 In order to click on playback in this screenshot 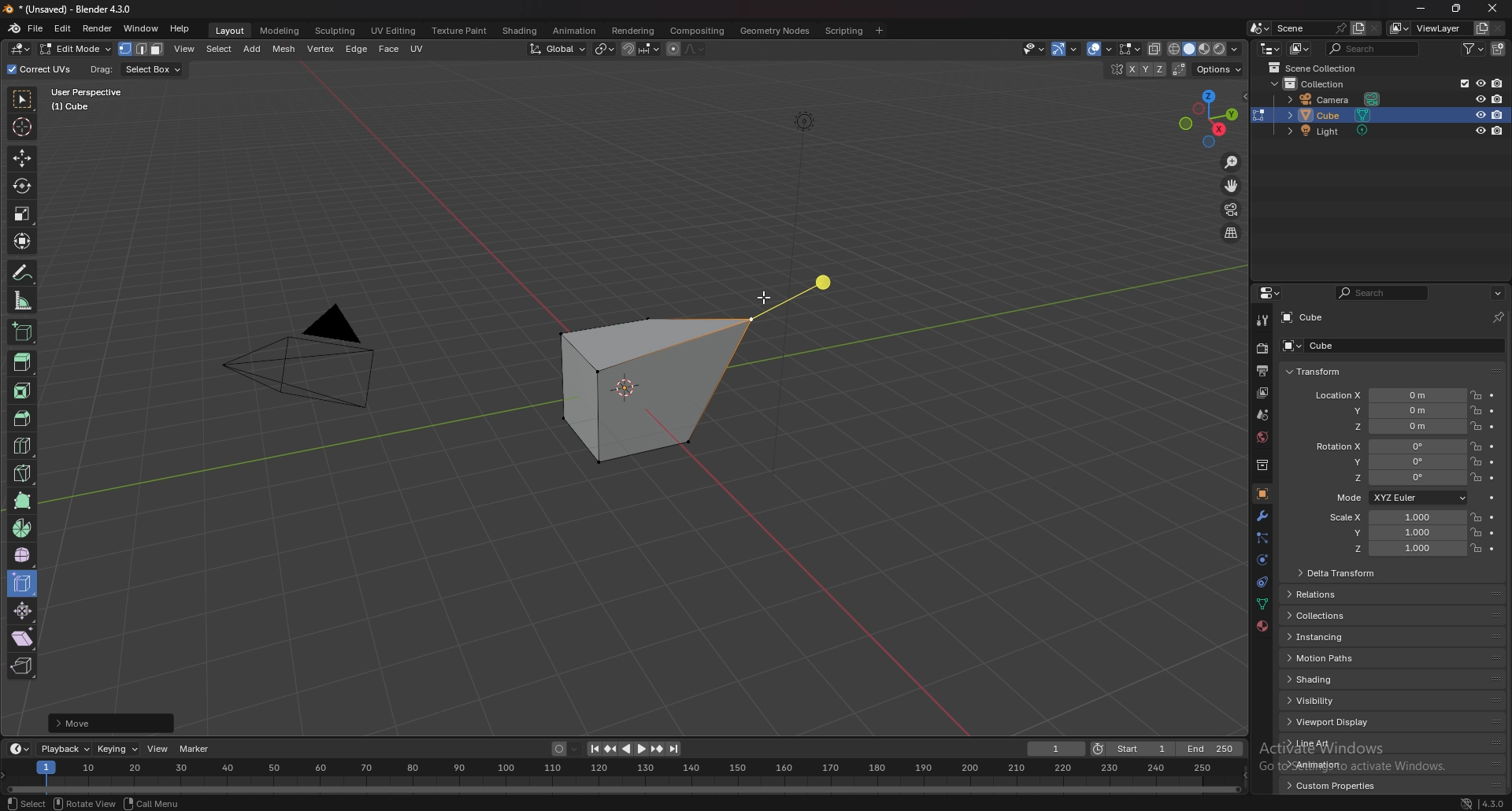, I will do `click(66, 749)`.